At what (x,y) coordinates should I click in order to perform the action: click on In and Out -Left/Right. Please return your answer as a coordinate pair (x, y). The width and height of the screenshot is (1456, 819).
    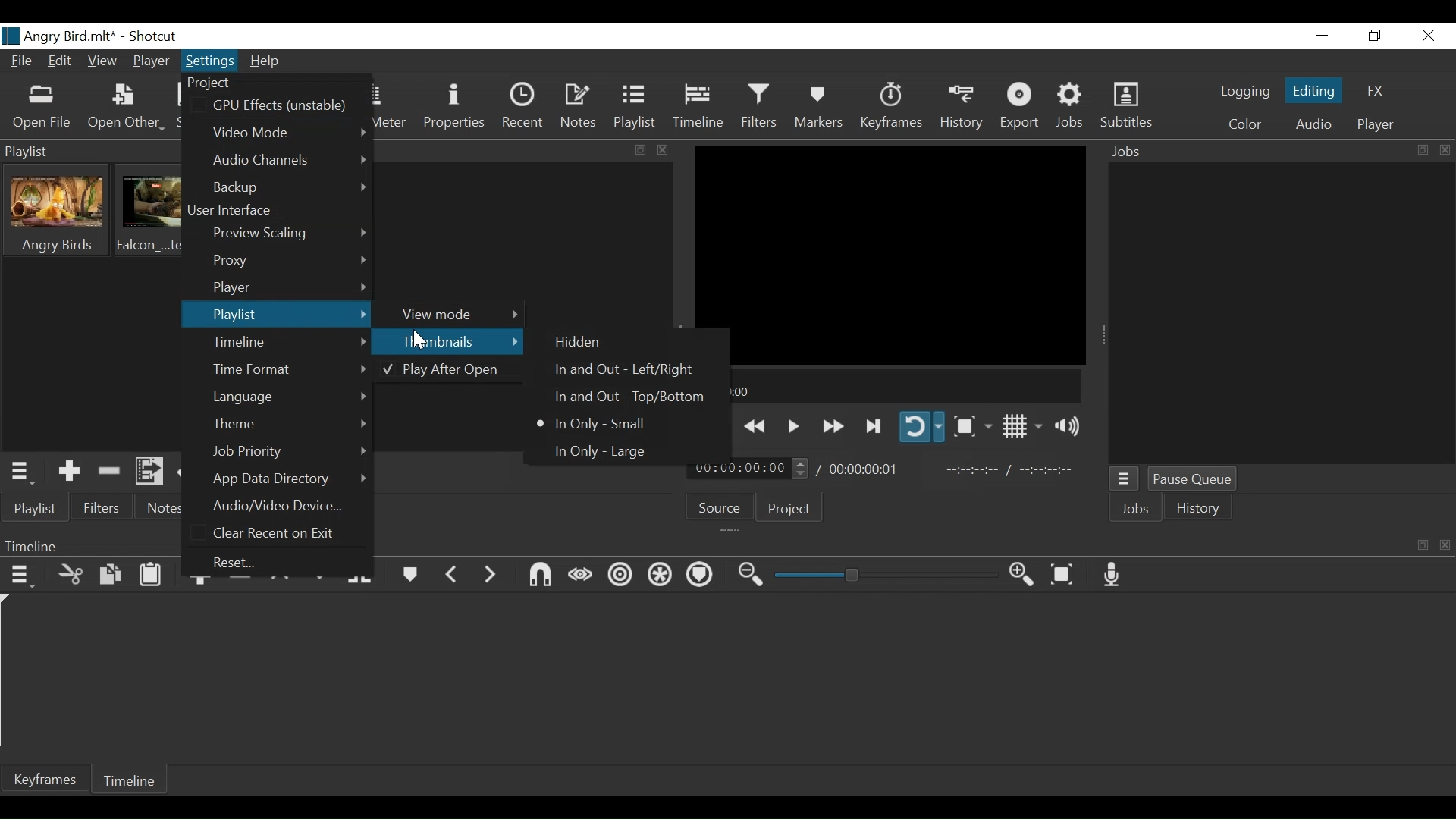
    Looking at the image, I should click on (620, 371).